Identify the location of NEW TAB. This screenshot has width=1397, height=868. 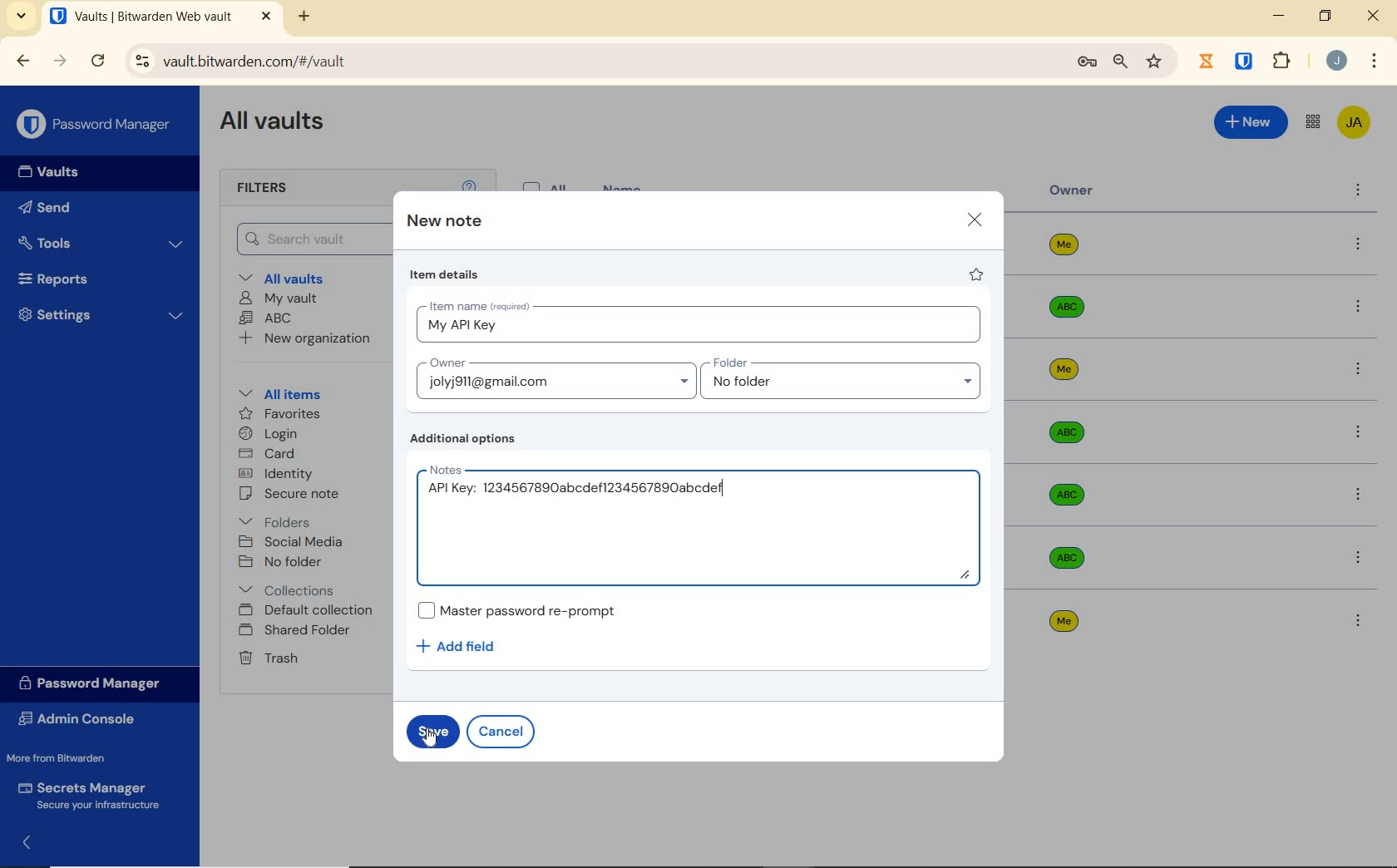
(306, 17).